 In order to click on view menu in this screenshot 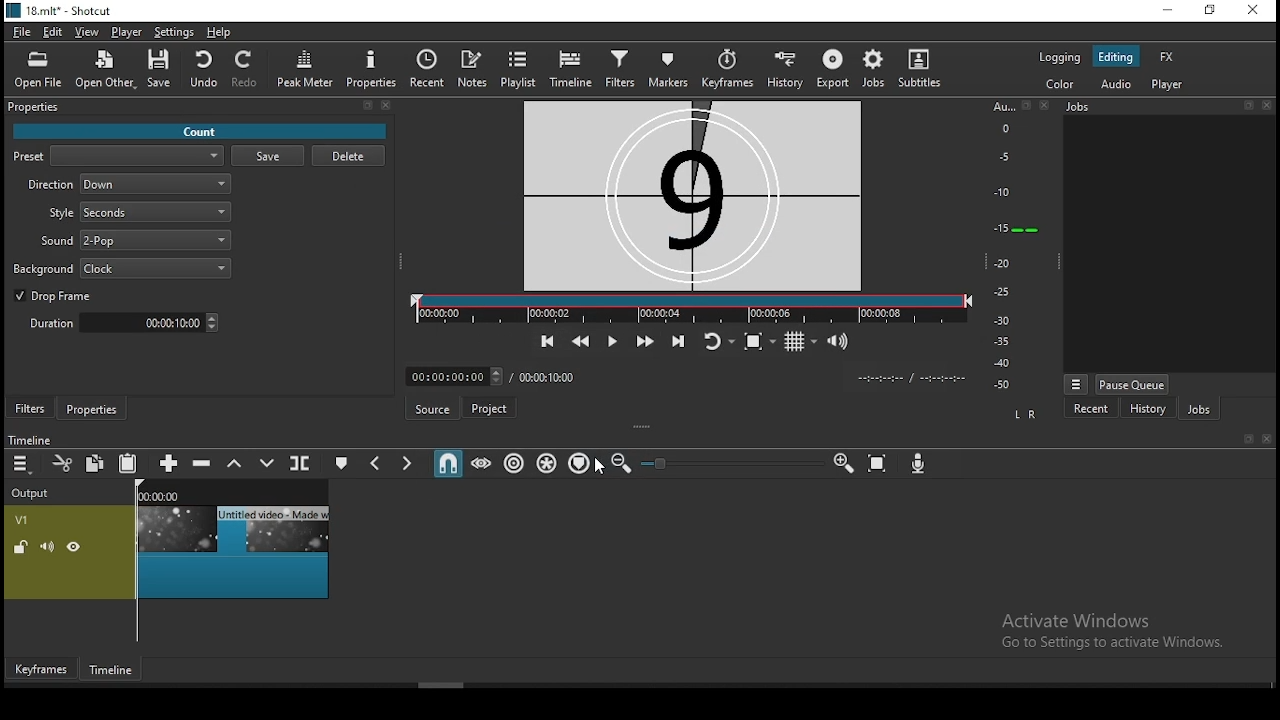, I will do `click(1075, 381)`.